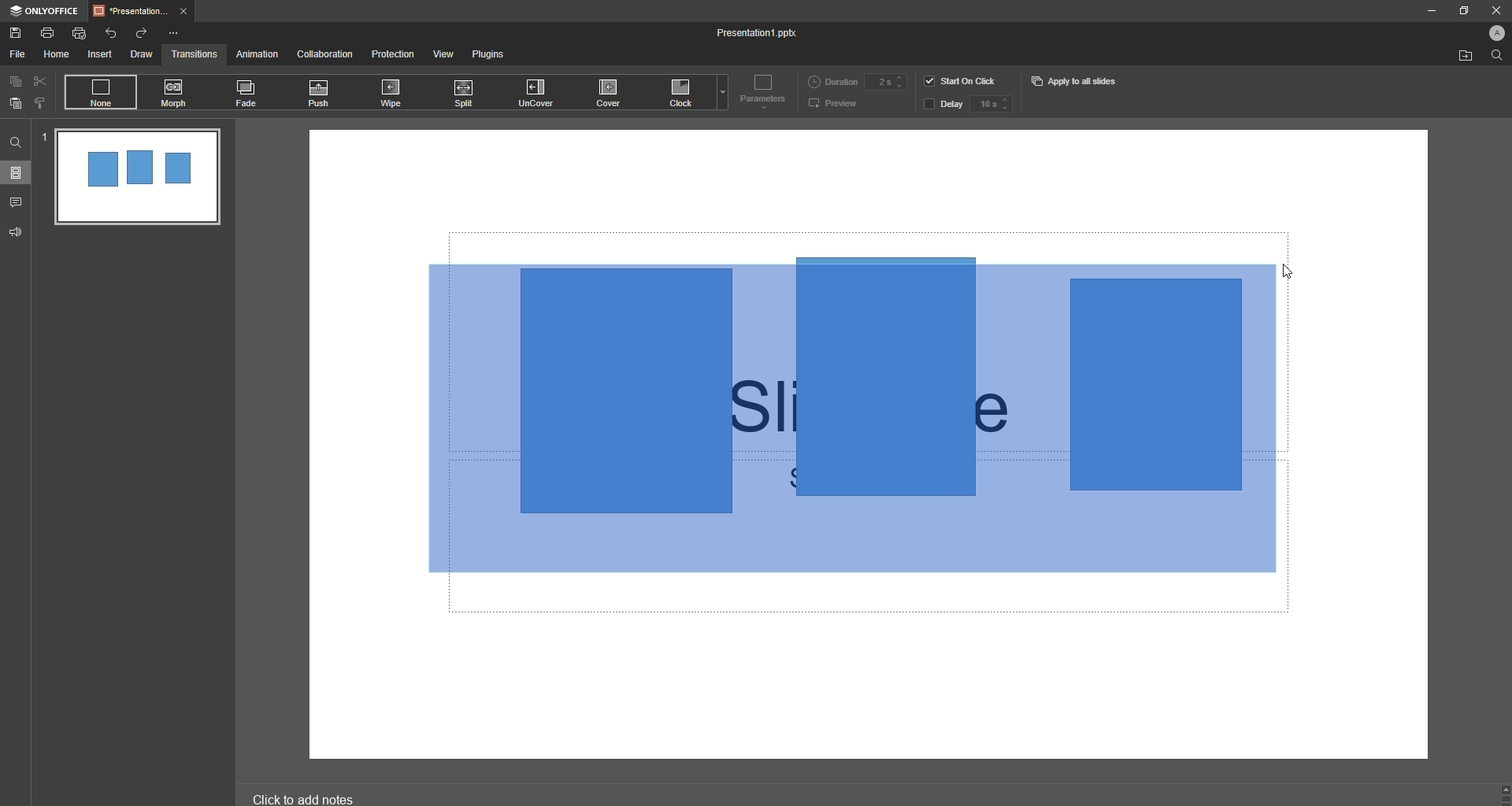 This screenshot has width=1512, height=806. I want to click on Quick Print, so click(80, 34).